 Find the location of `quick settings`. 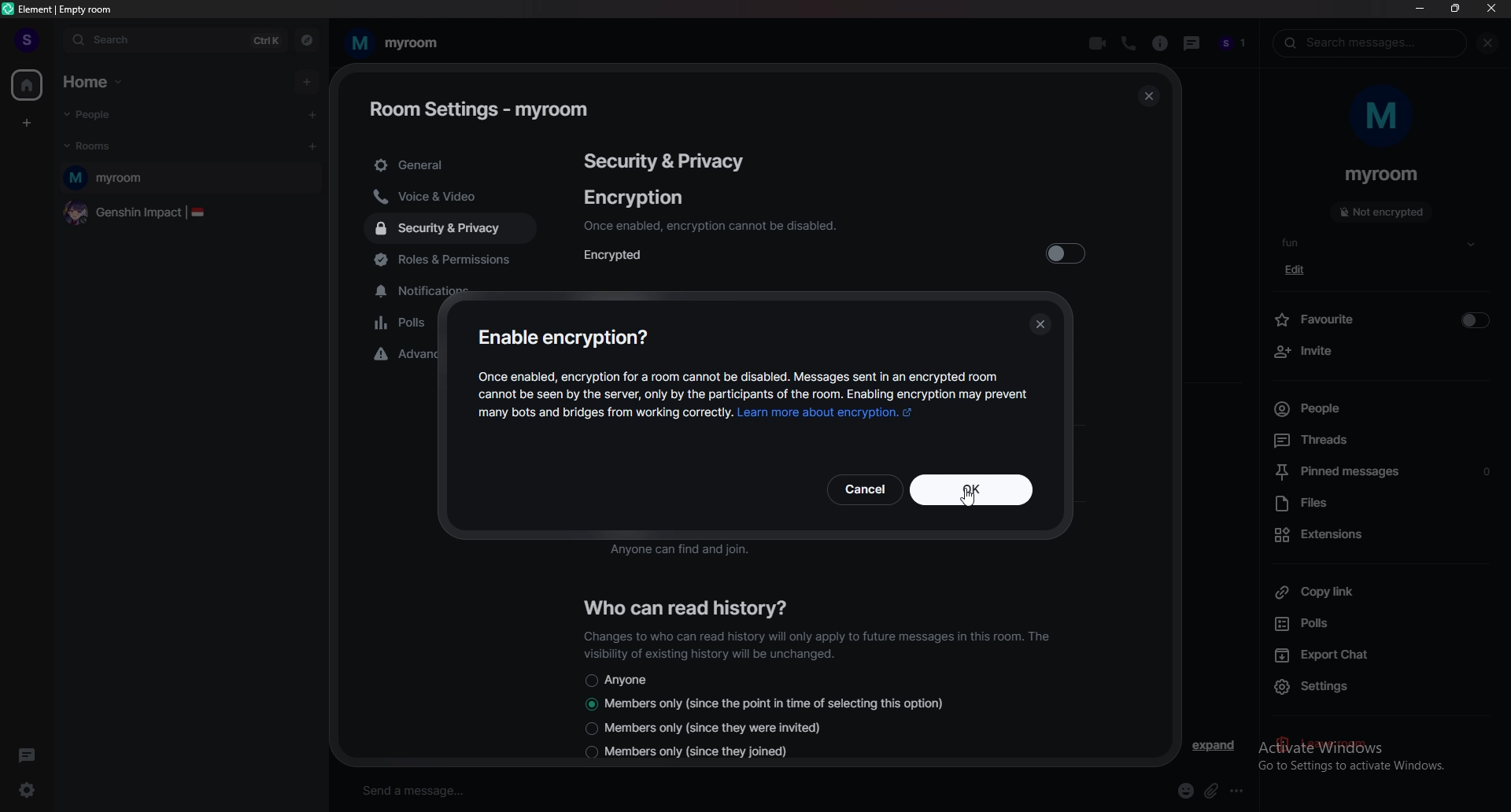

quick settings is located at coordinates (28, 790).